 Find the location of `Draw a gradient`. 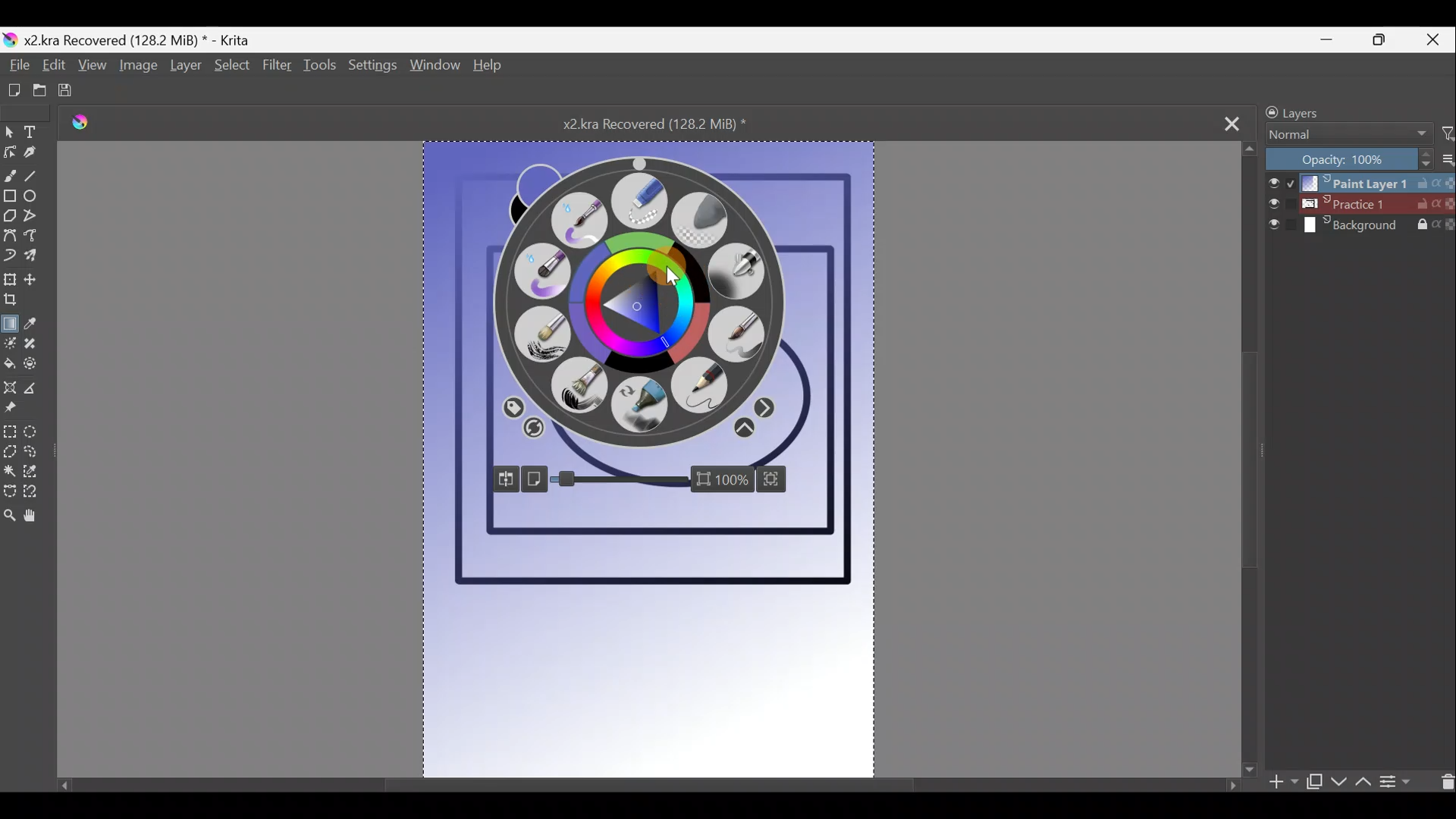

Draw a gradient is located at coordinates (11, 321).